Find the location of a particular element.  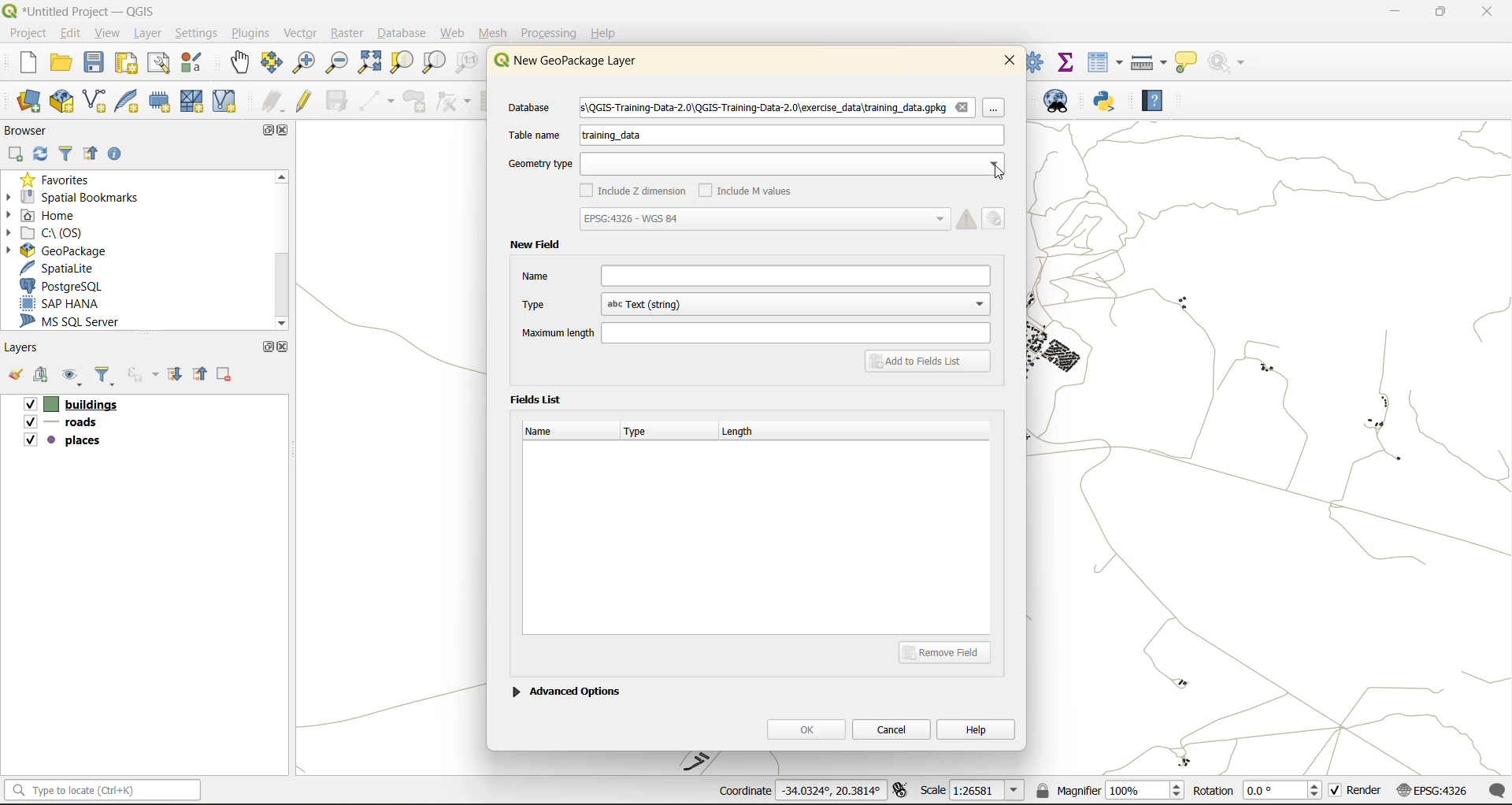

web is located at coordinates (454, 33).